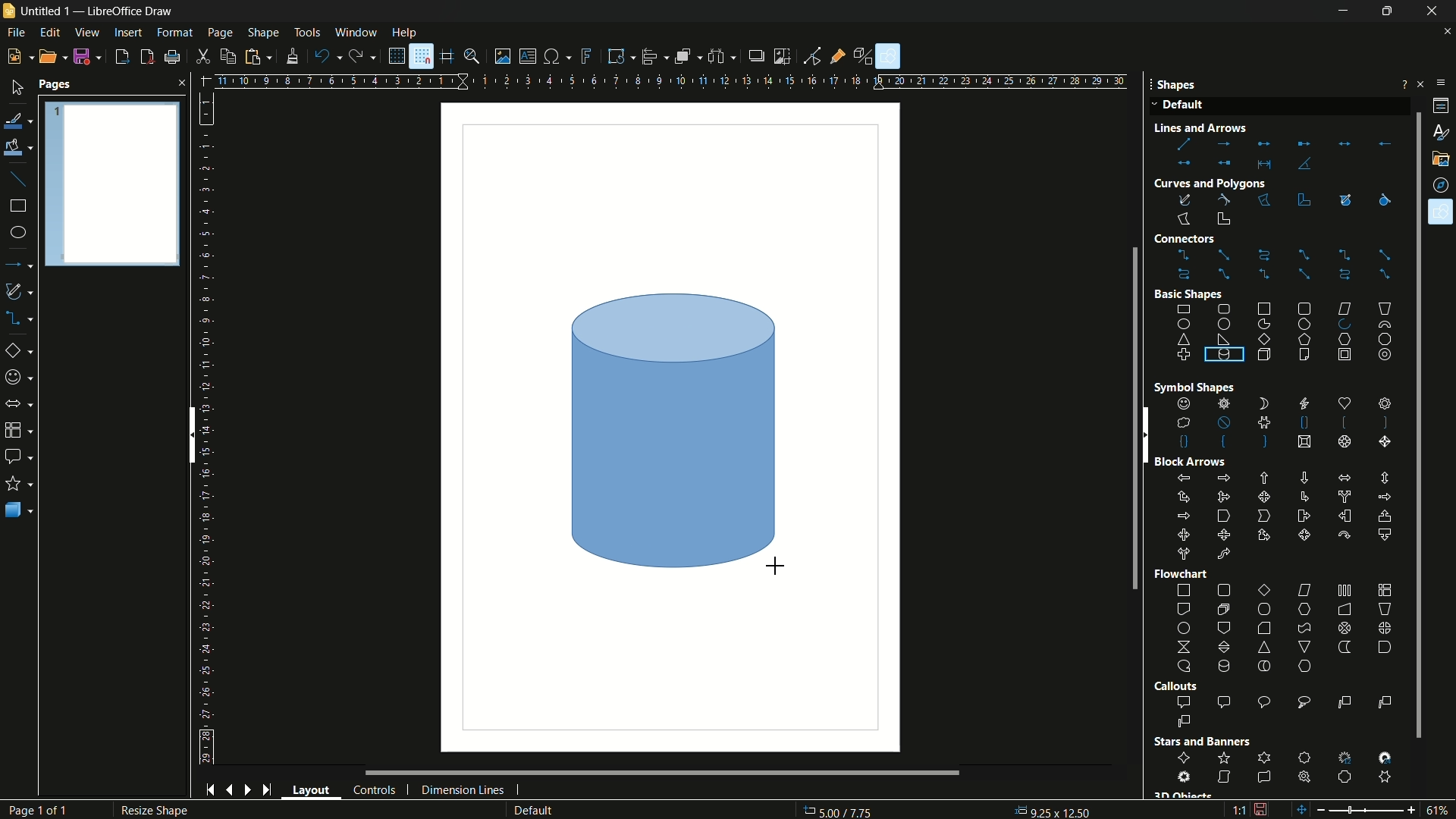 Image resolution: width=1456 pixels, height=819 pixels. What do you see at coordinates (421, 56) in the screenshot?
I see `snap to grid` at bounding box center [421, 56].